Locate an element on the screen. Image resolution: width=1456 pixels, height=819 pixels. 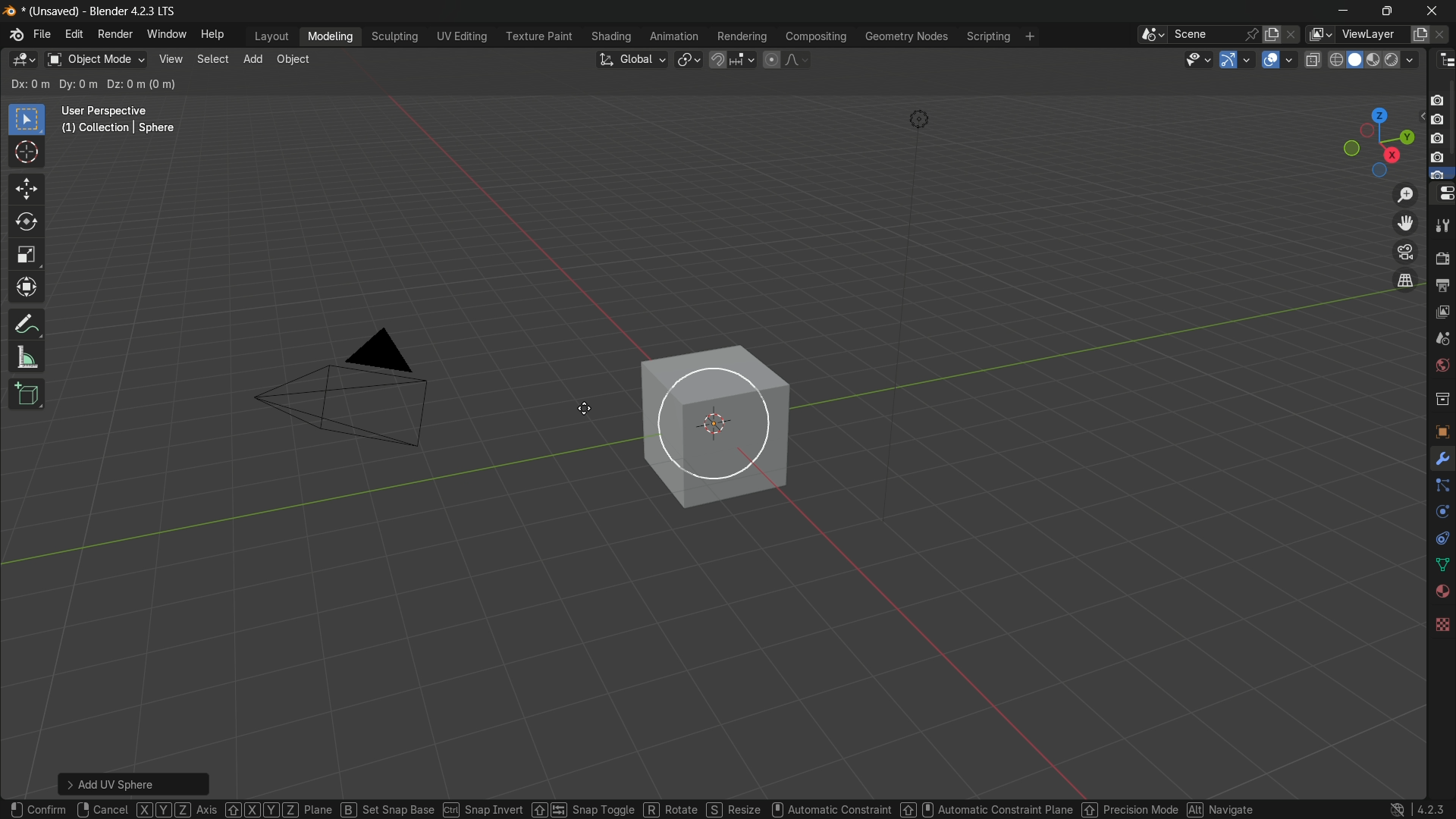
browse scenes is located at coordinates (1153, 35).